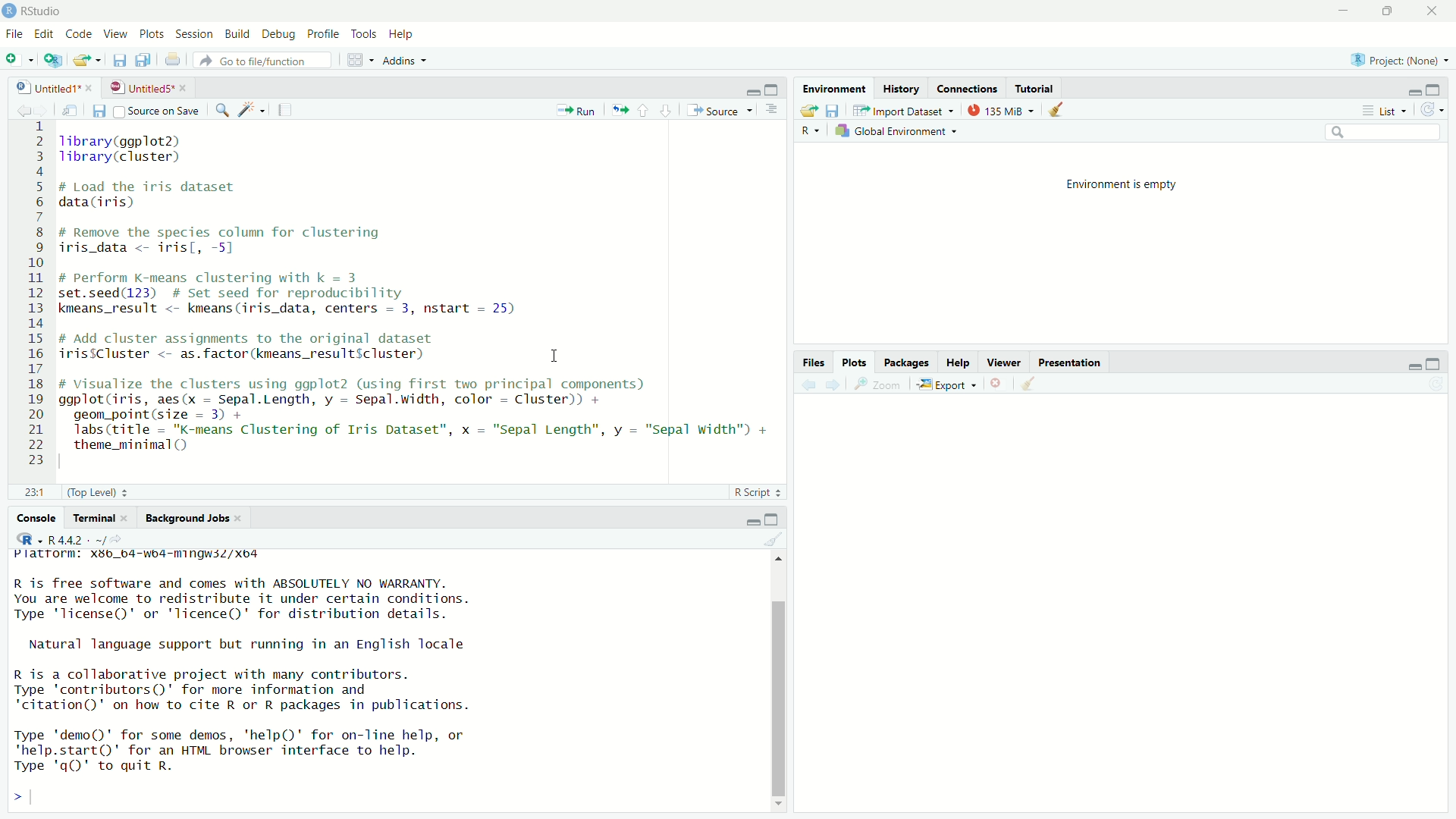 Image resolution: width=1456 pixels, height=819 pixels. I want to click on plots, so click(853, 362).